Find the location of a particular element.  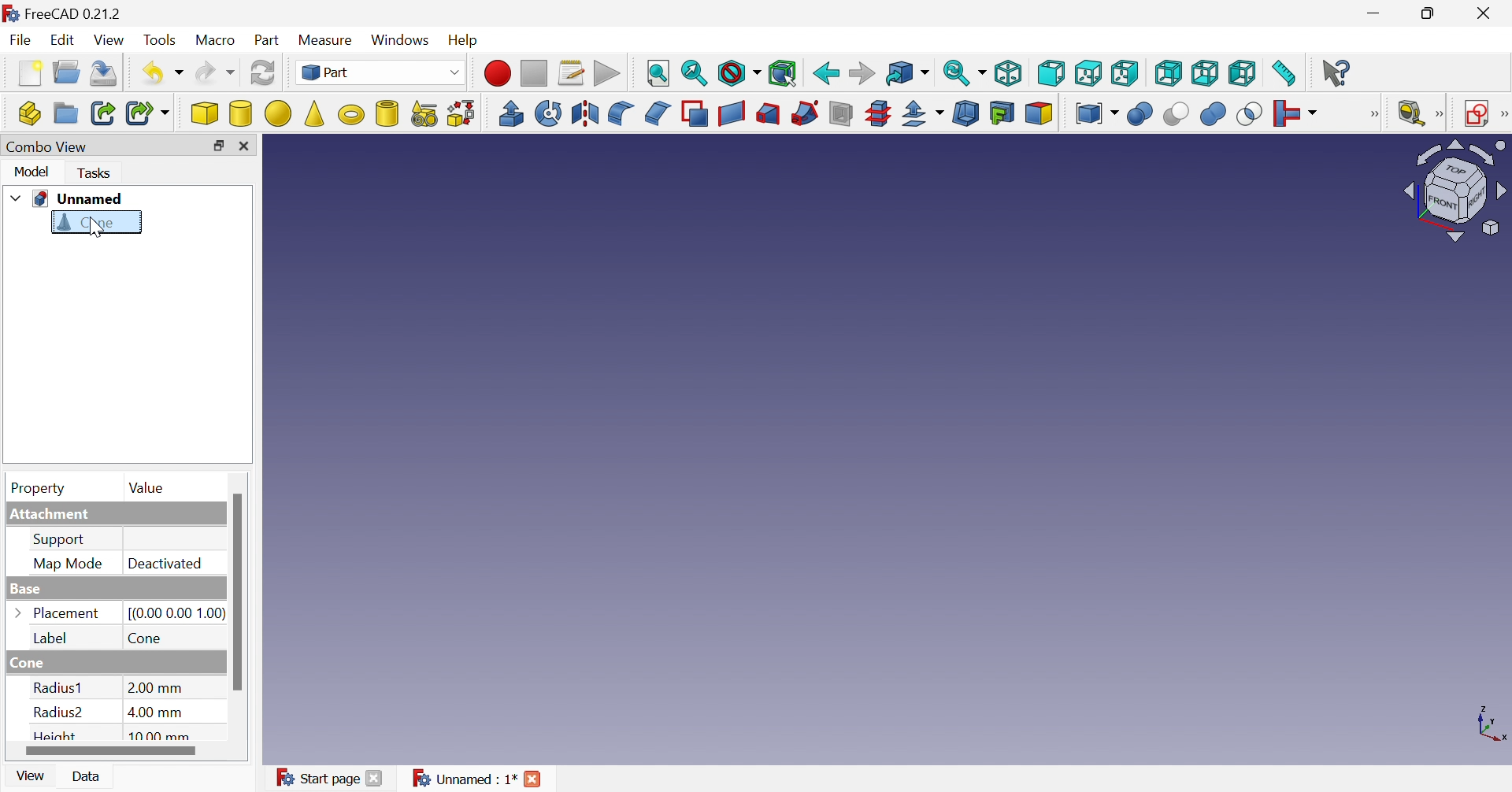

Fit all is located at coordinates (656, 74).